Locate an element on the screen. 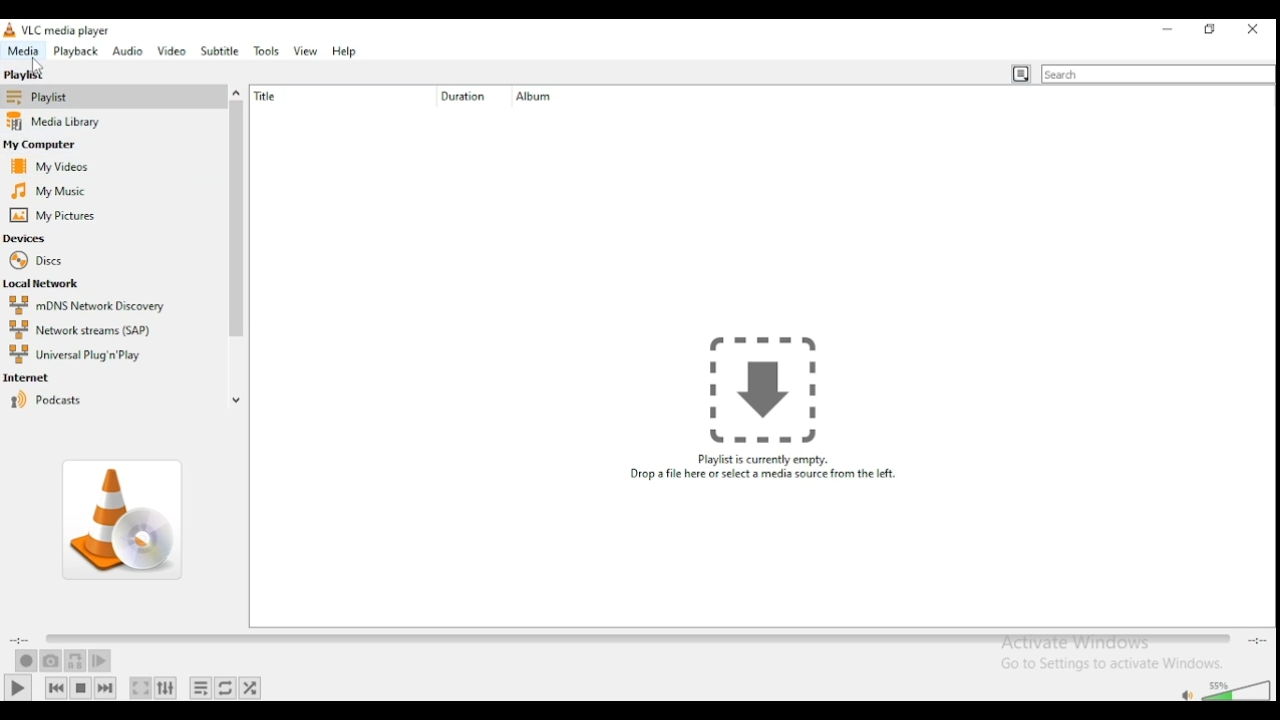  local network is located at coordinates (45, 283).